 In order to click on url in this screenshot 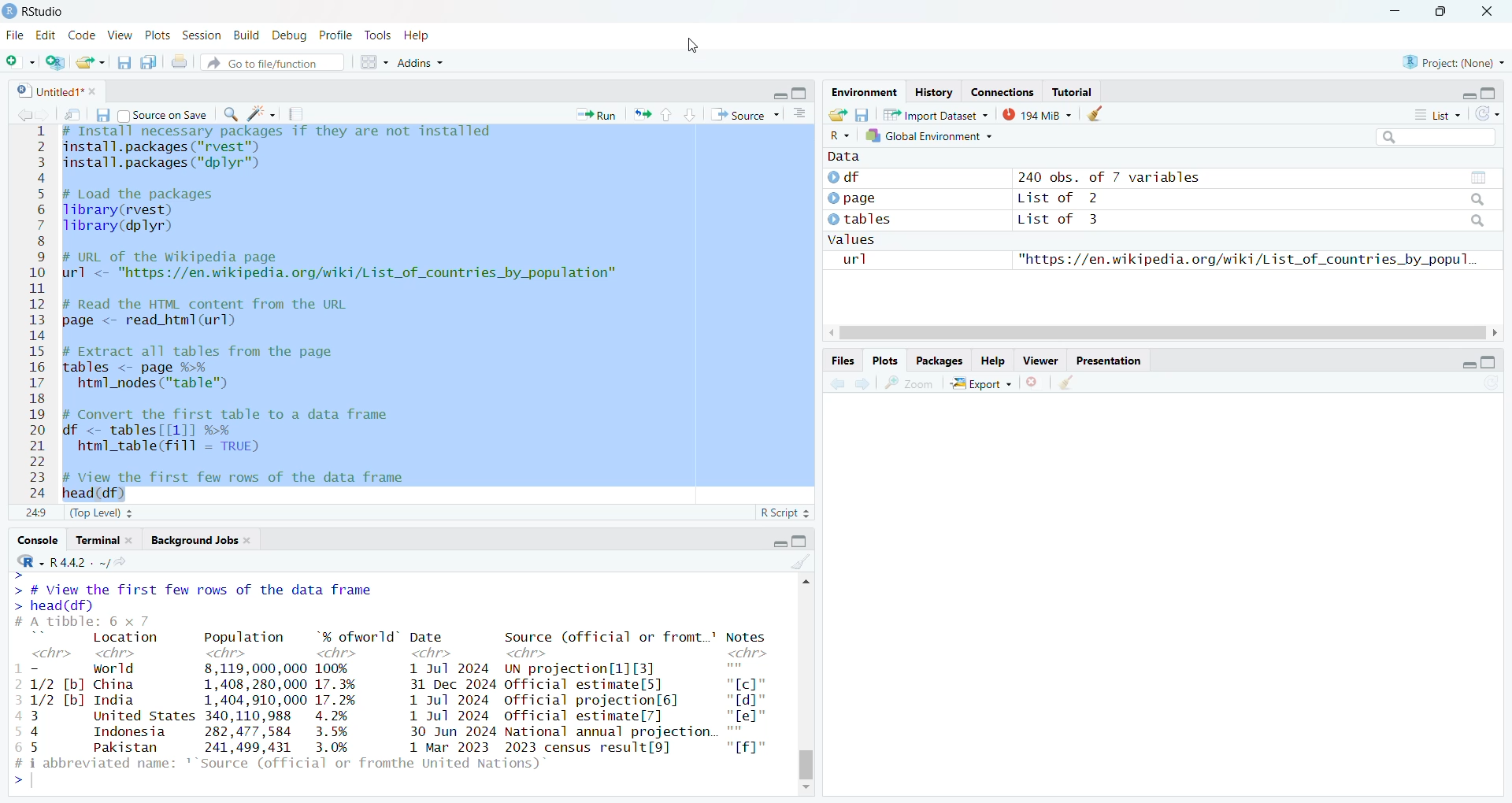, I will do `click(855, 259)`.